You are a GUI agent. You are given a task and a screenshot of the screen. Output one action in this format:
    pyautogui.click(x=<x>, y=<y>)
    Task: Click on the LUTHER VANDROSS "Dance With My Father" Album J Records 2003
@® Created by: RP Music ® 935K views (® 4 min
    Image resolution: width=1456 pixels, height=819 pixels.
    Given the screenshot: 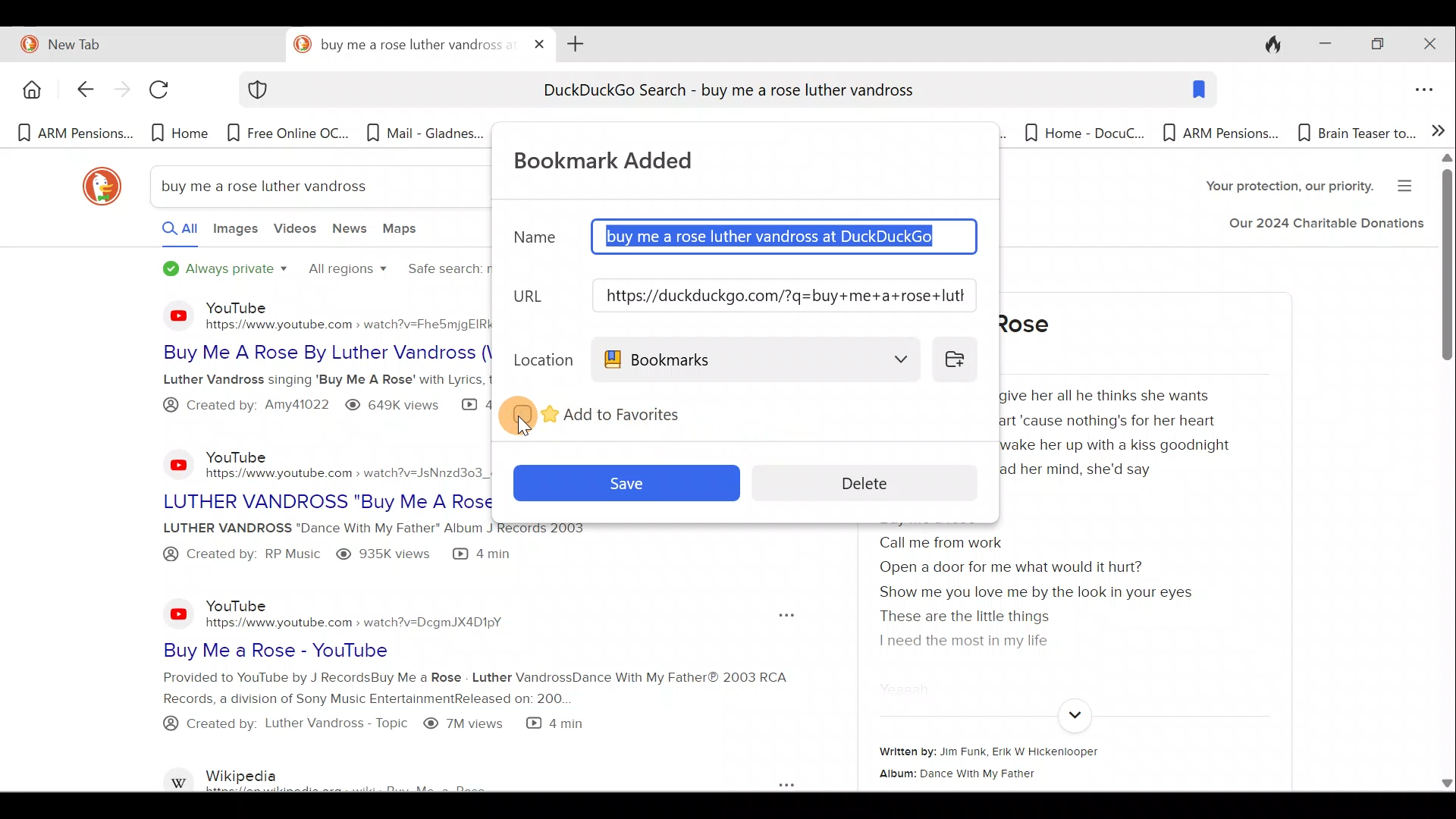 What is the action you would take?
    pyautogui.click(x=313, y=545)
    